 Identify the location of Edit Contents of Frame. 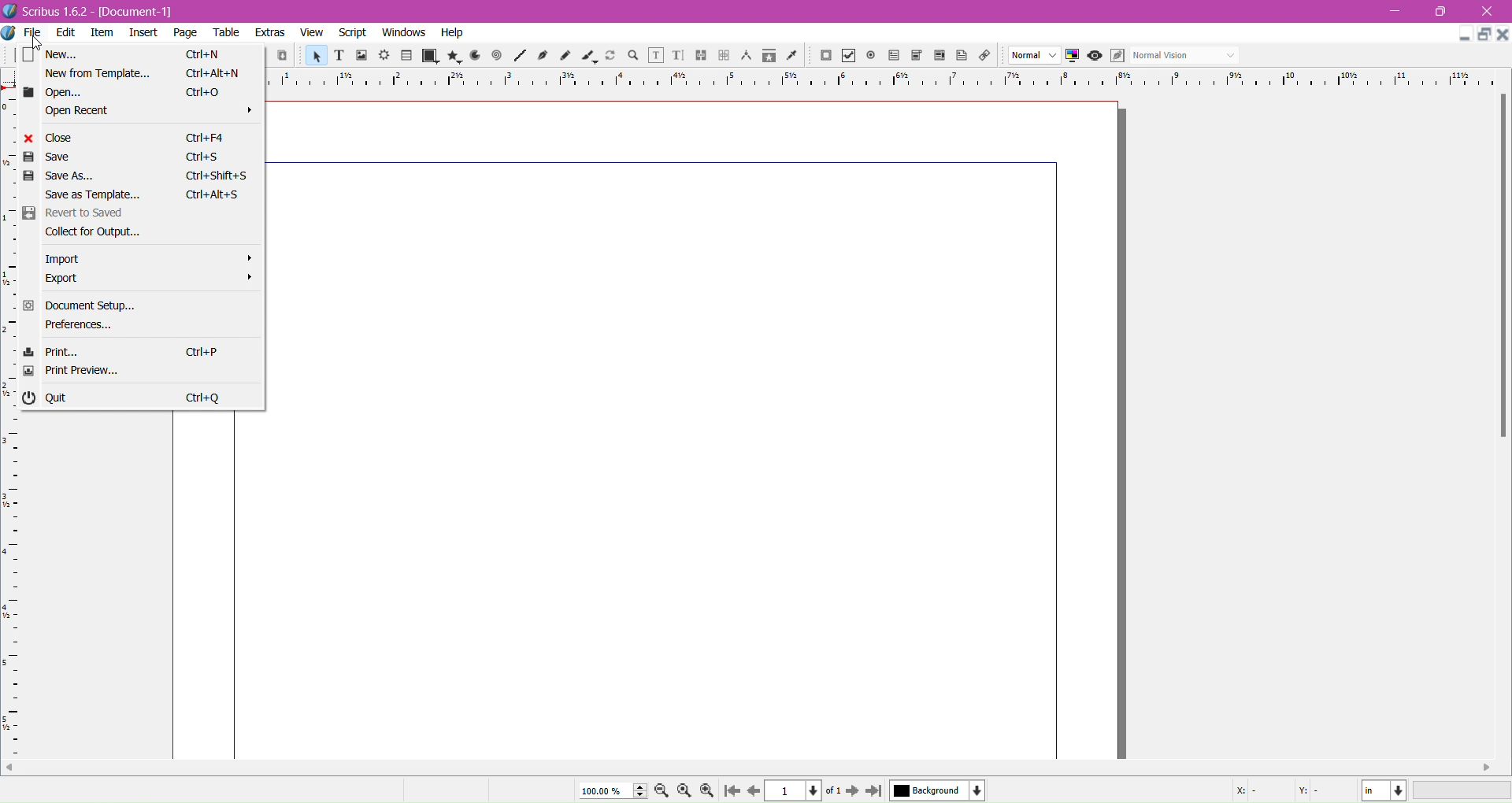
(656, 55).